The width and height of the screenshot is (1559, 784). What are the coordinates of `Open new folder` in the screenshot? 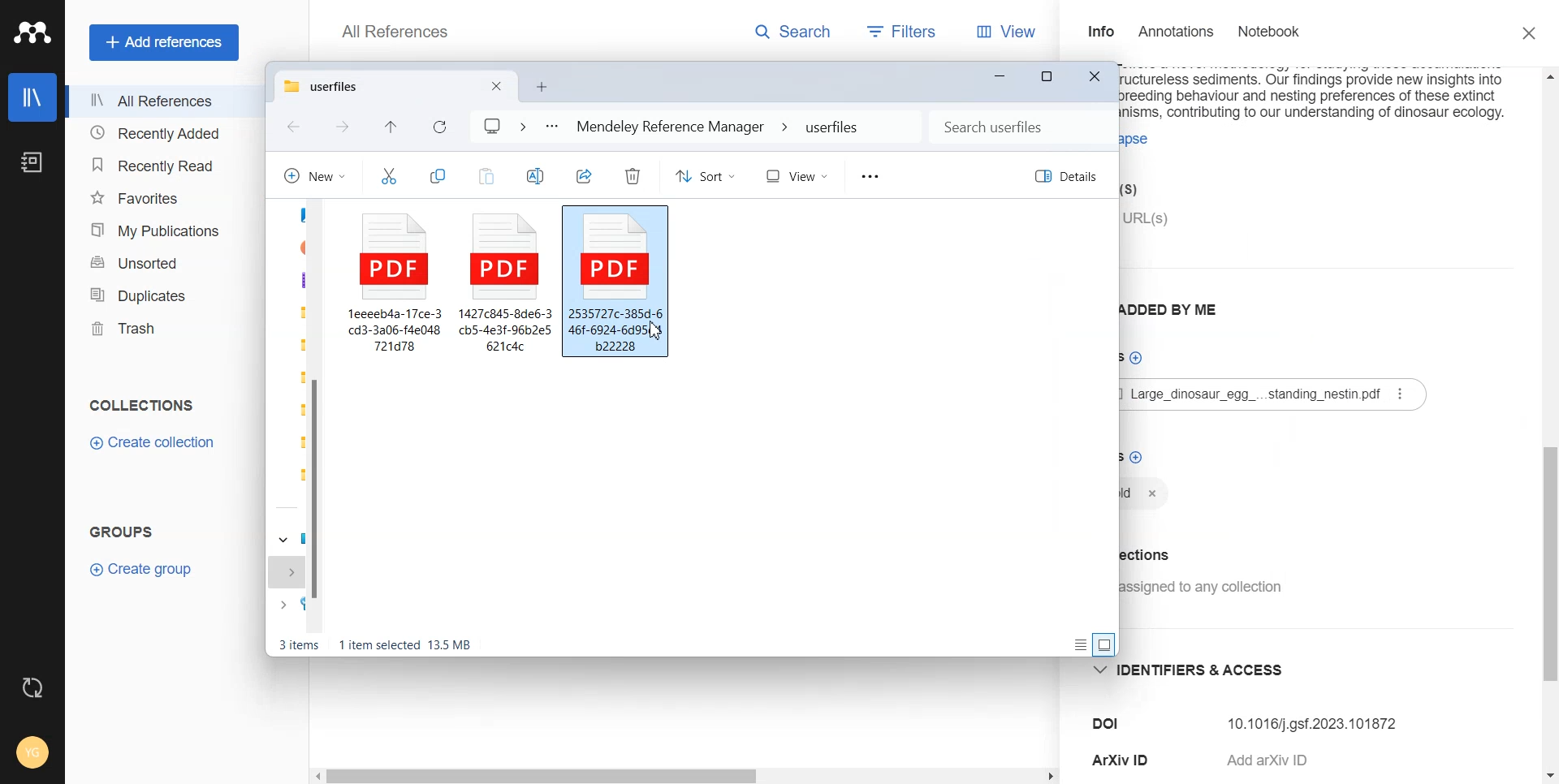 It's located at (542, 87).